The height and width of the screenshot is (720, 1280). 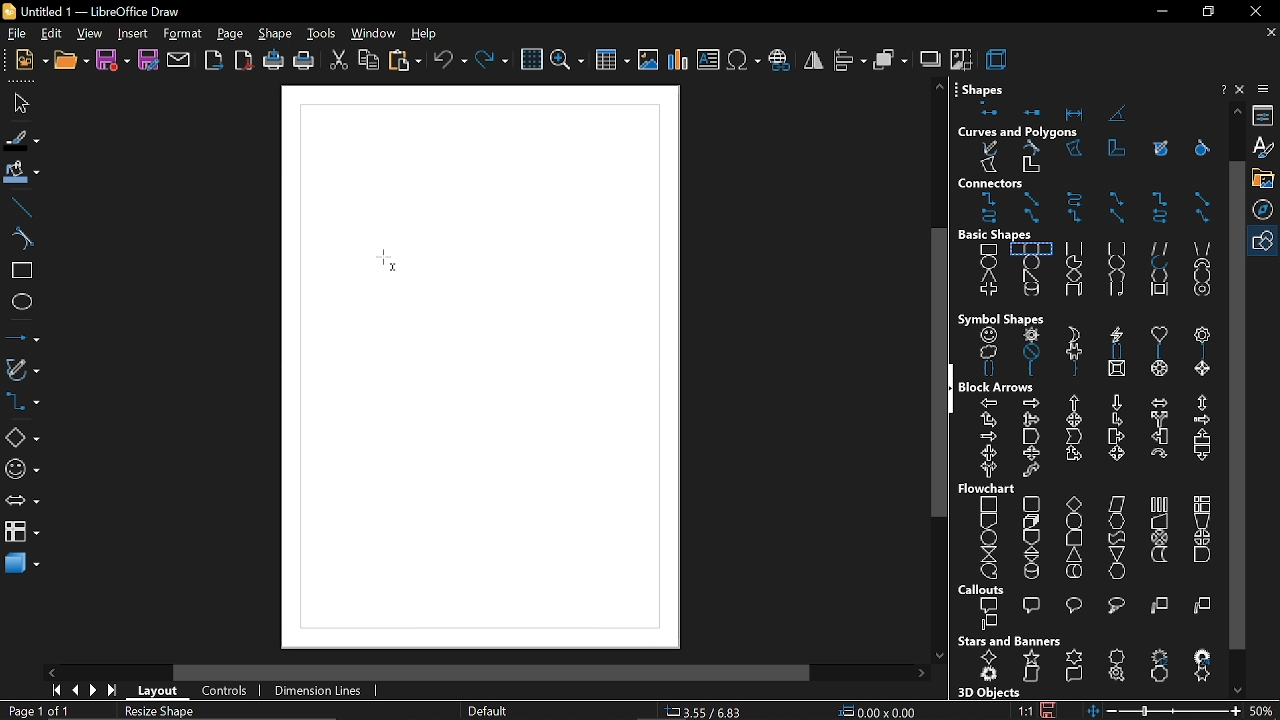 What do you see at coordinates (987, 693) in the screenshot?
I see `3D objects` at bounding box center [987, 693].